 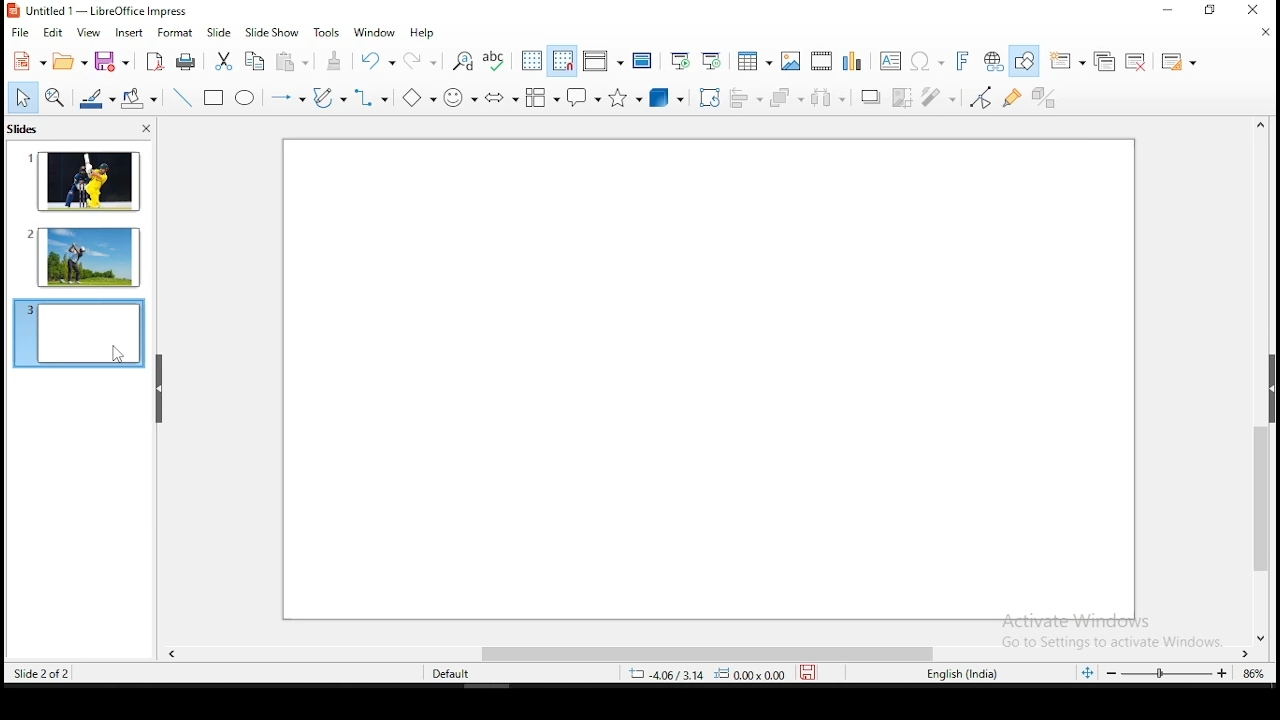 What do you see at coordinates (80, 256) in the screenshot?
I see `slide 2` at bounding box center [80, 256].